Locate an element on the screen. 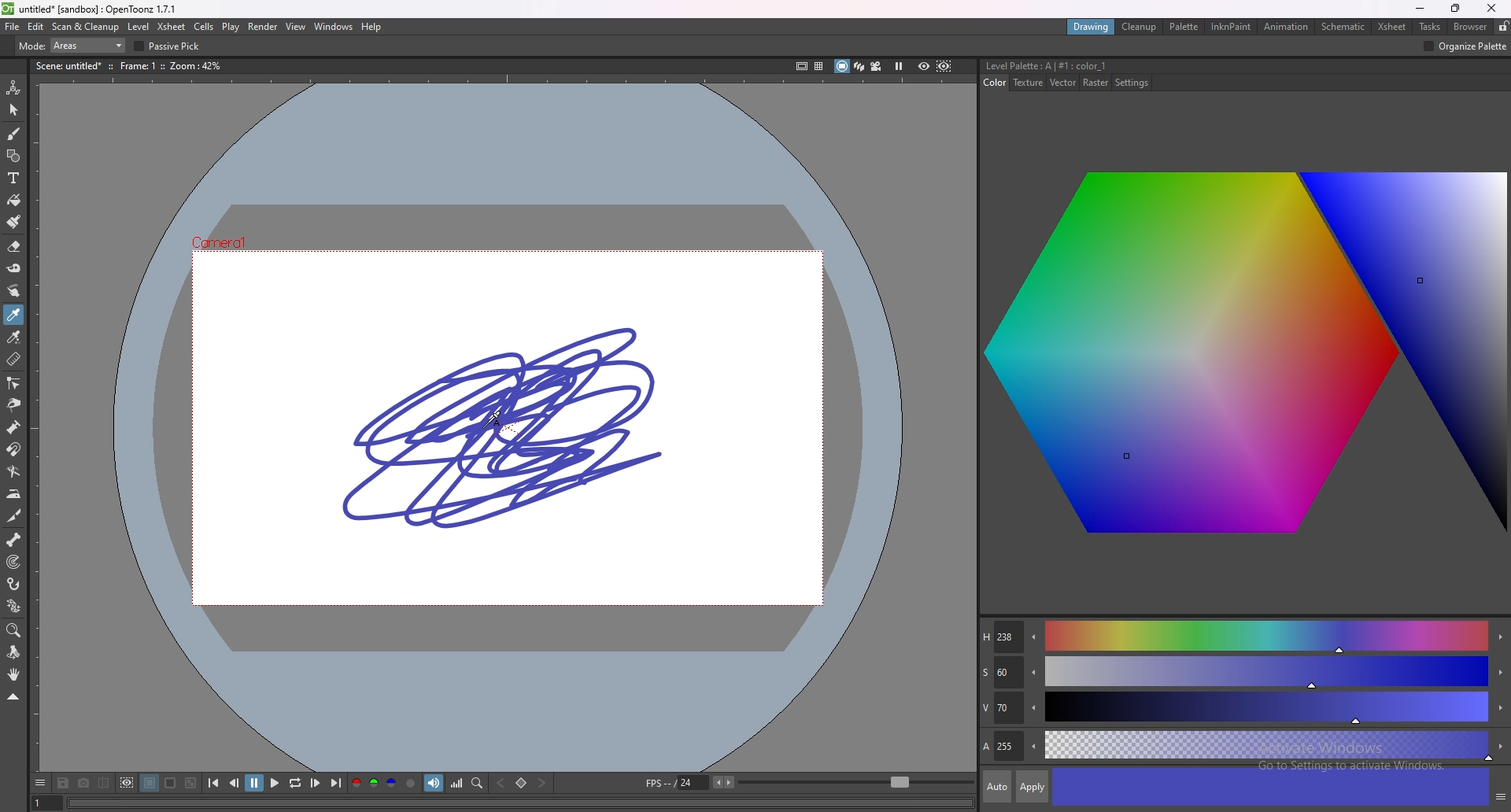 The image size is (1511, 812). iron tool is located at coordinates (14, 494).